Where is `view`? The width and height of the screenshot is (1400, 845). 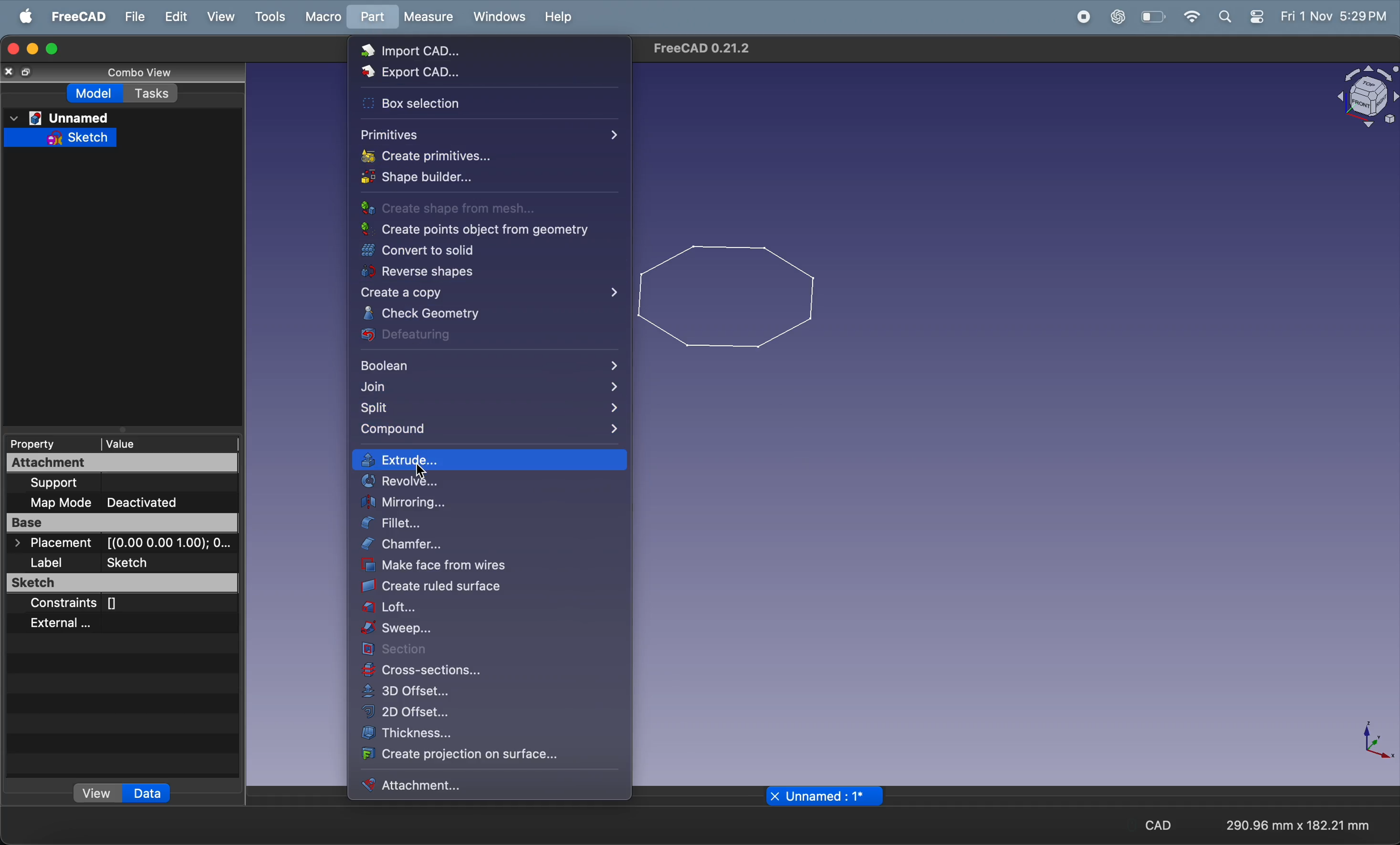 view is located at coordinates (86, 792).